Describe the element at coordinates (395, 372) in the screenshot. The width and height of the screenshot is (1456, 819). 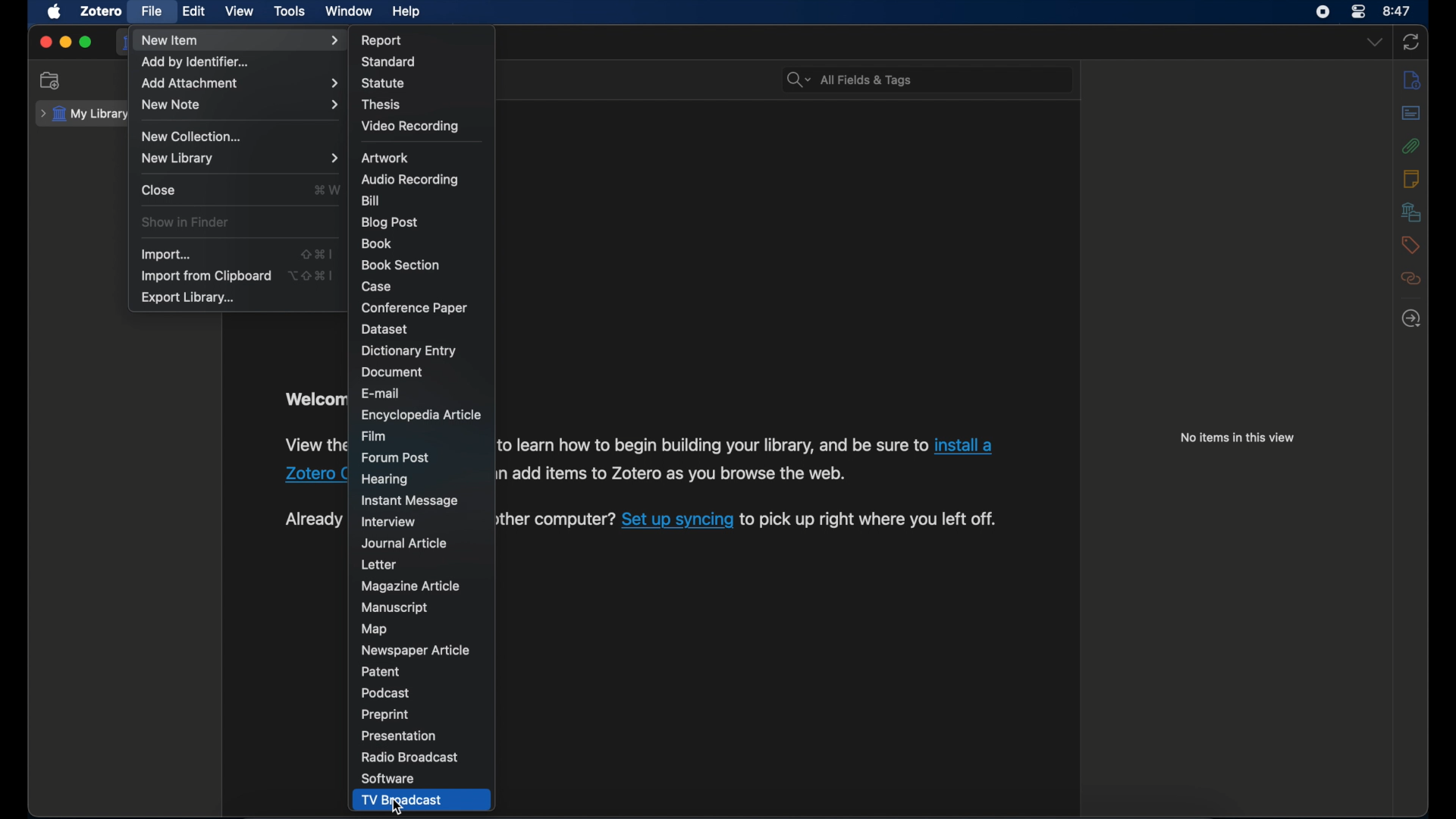
I see `document` at that location.